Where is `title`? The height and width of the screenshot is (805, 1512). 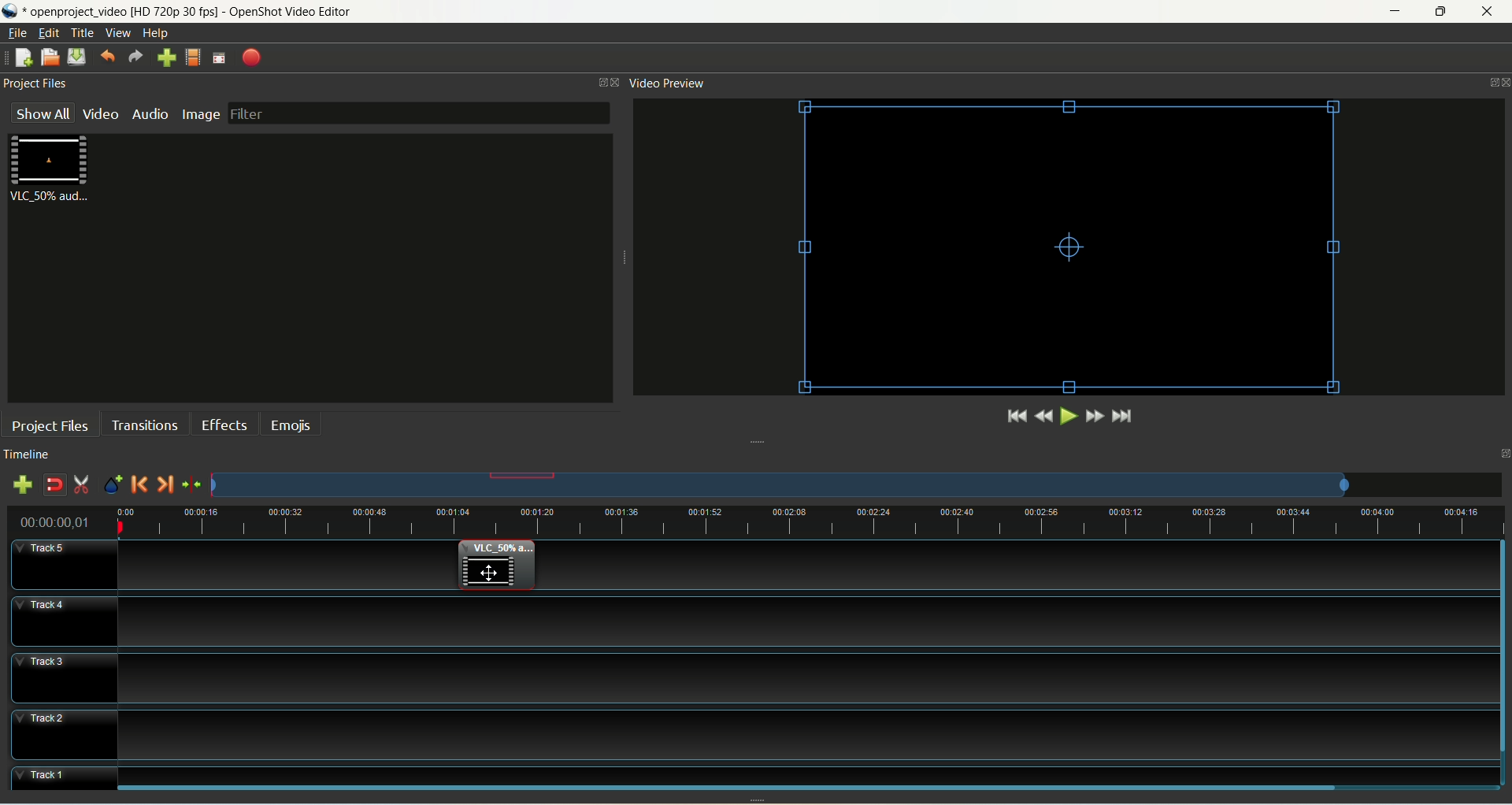 title is located at coordinates (83, 33).